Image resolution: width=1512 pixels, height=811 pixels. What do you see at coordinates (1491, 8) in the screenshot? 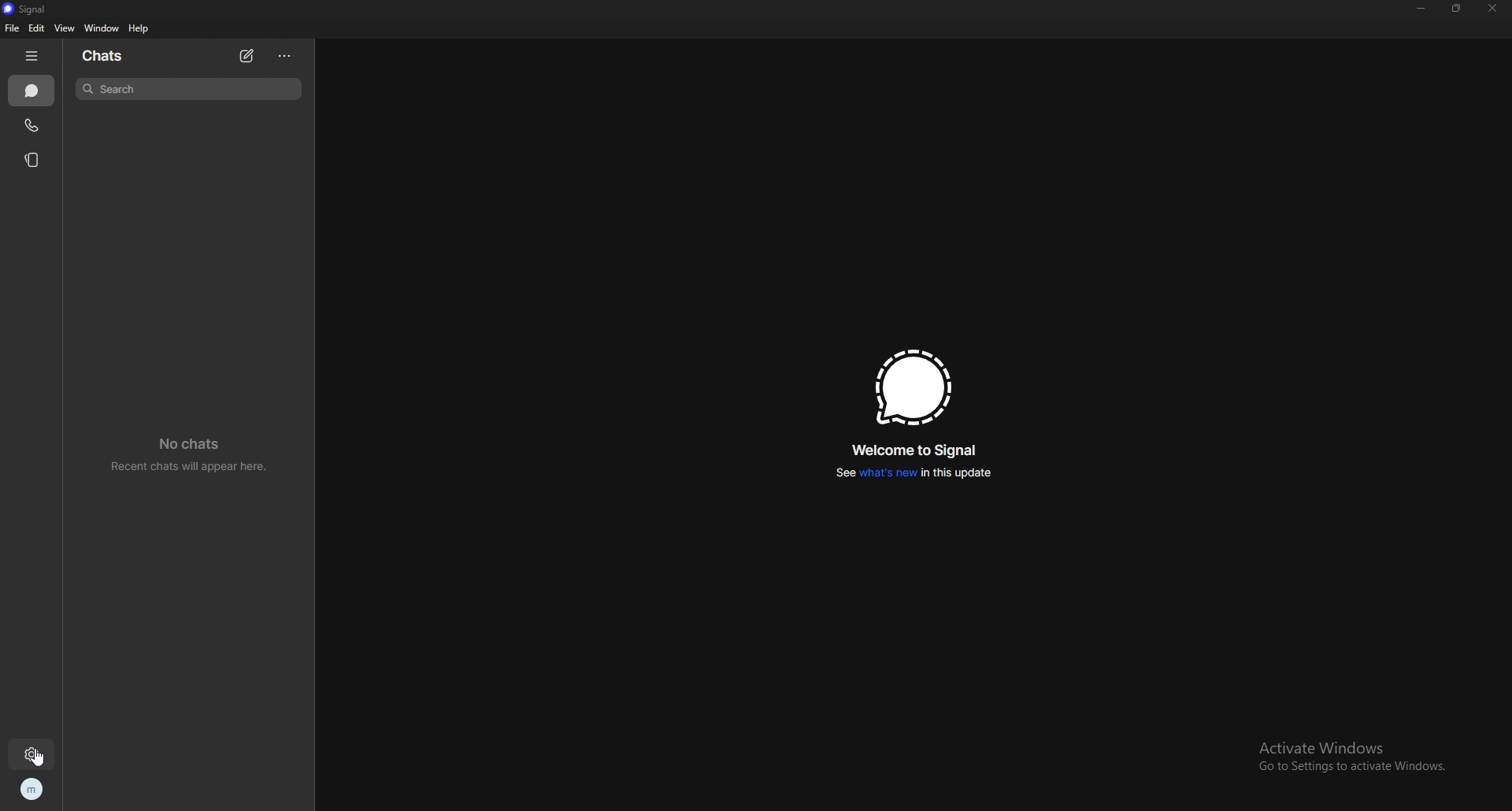
I see `close` at bounding box center [1491, 8].